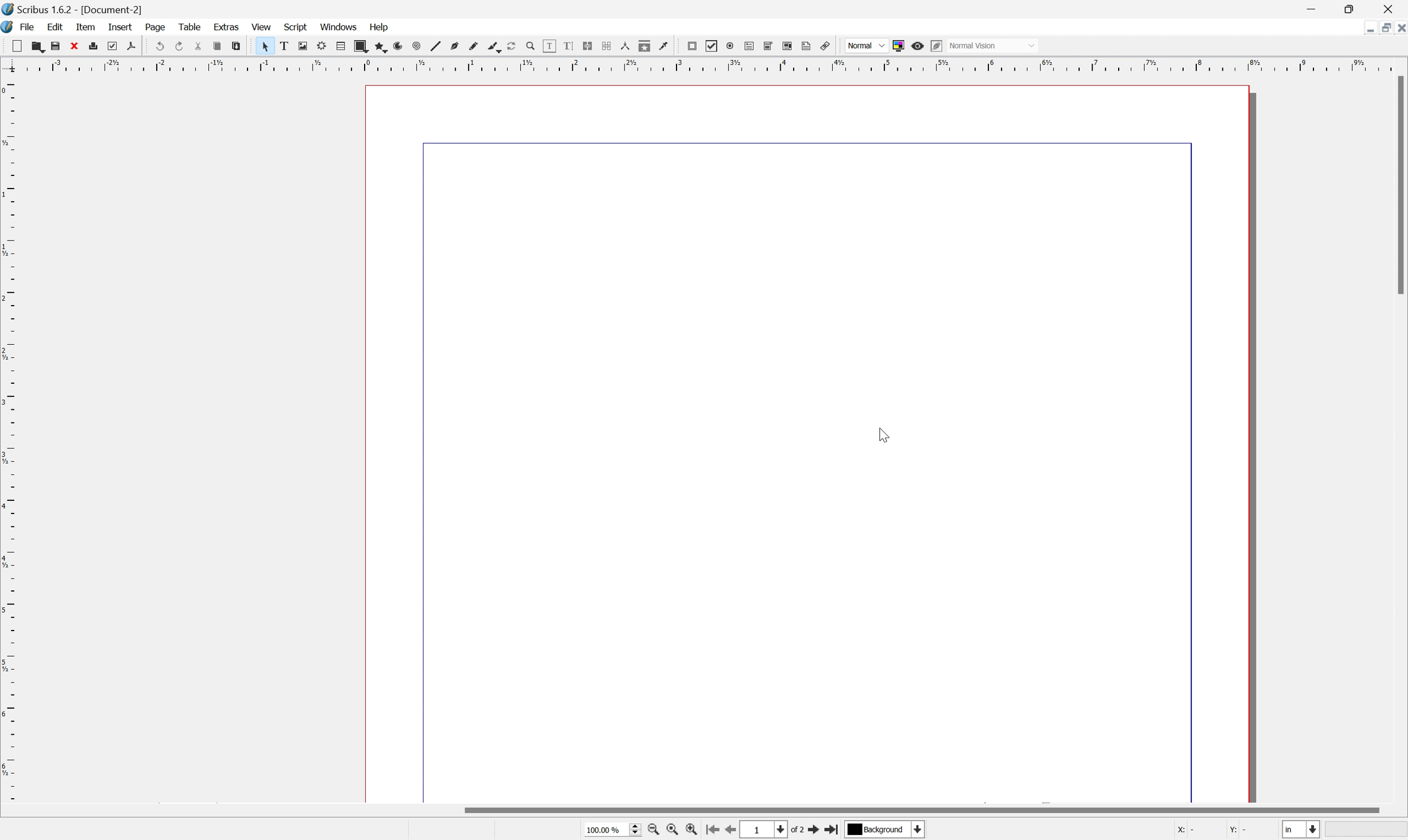 The height and width of the screenshot is (840, 1408). What do you see at coordinates (695, 830) in the screenshot?
I see `zoom in` at bounding box center [695, 830].